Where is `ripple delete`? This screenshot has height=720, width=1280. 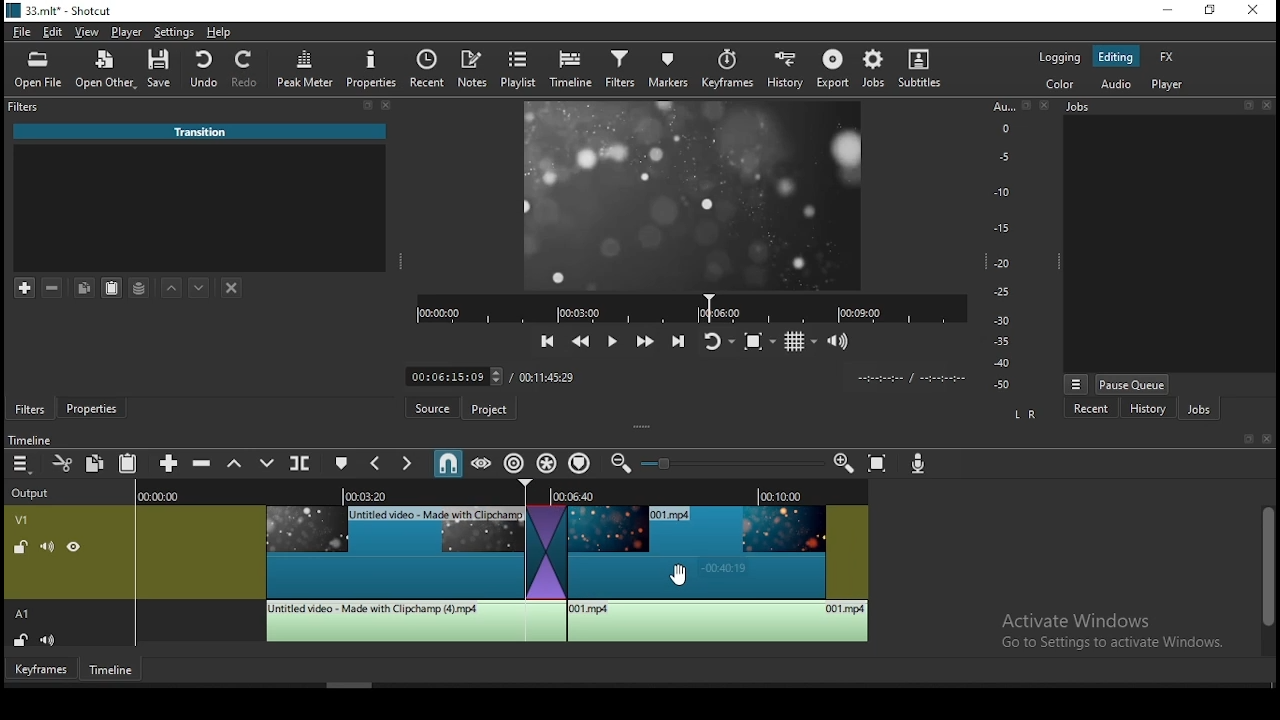 ripple delete is located at coordinates (203, 464).